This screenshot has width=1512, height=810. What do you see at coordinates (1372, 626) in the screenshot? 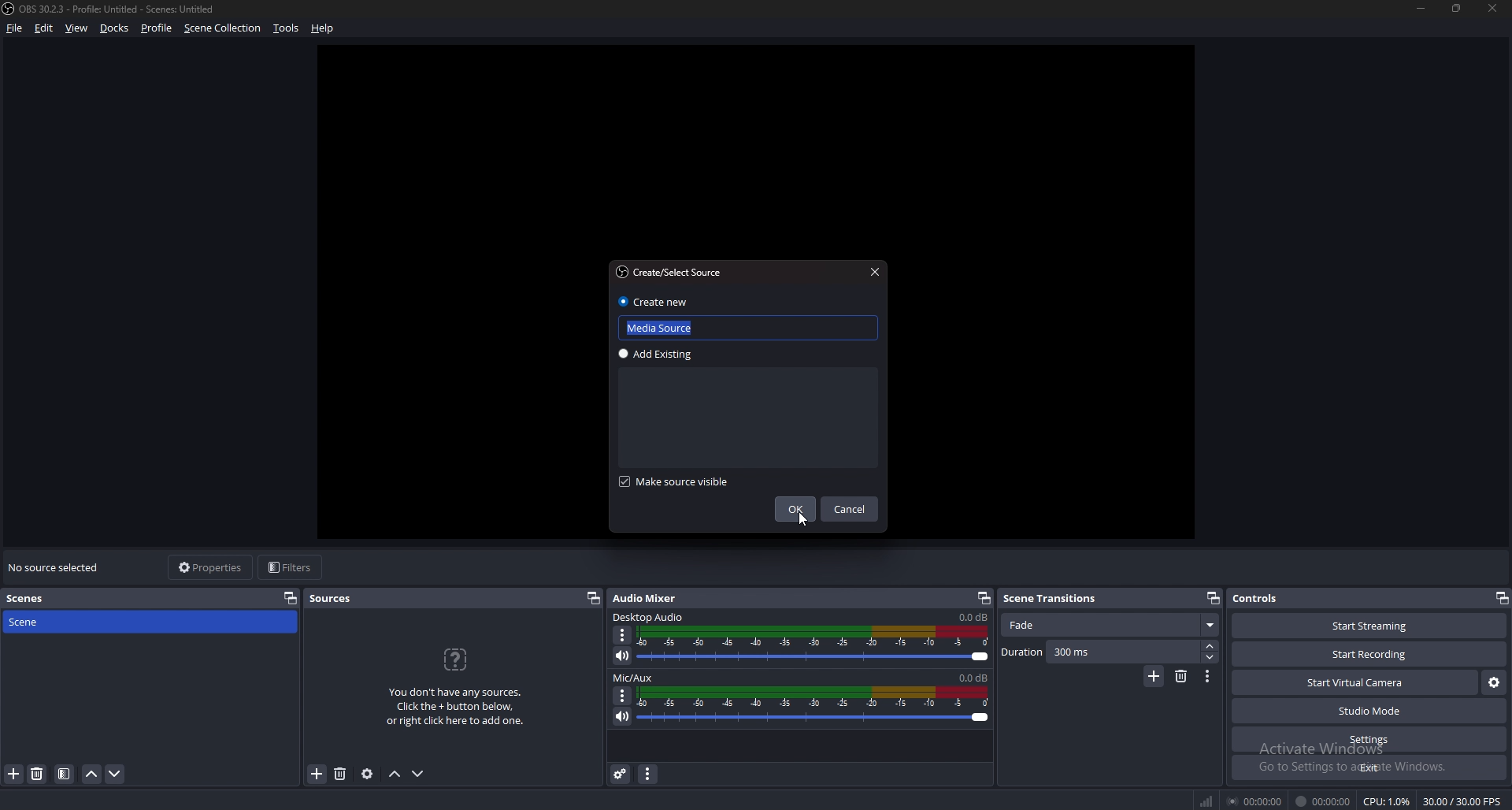
I see `Start streaming` at bounding box center [1372, 626].